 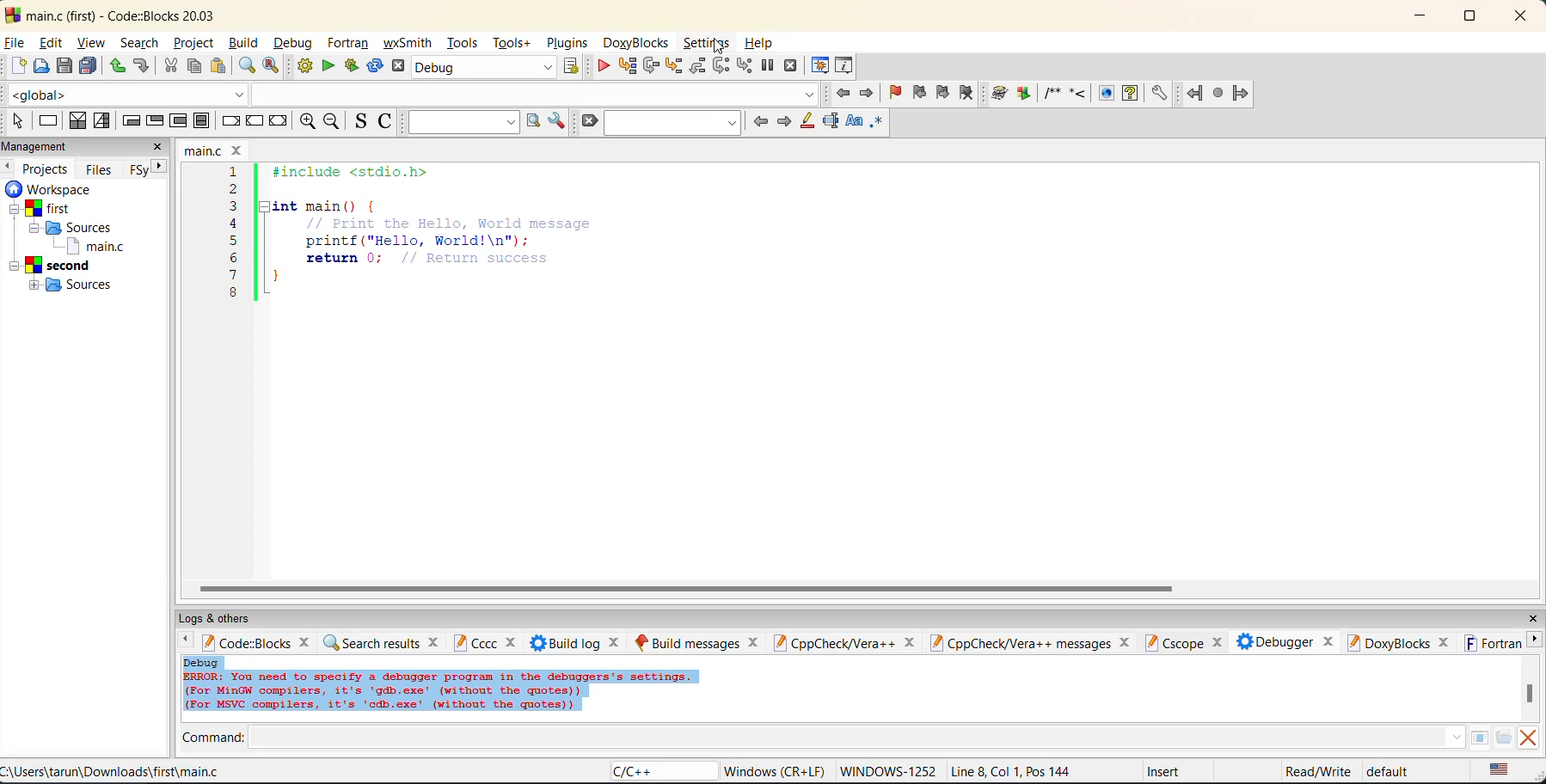 I want to click on Debug, so click(x=486, y=66).